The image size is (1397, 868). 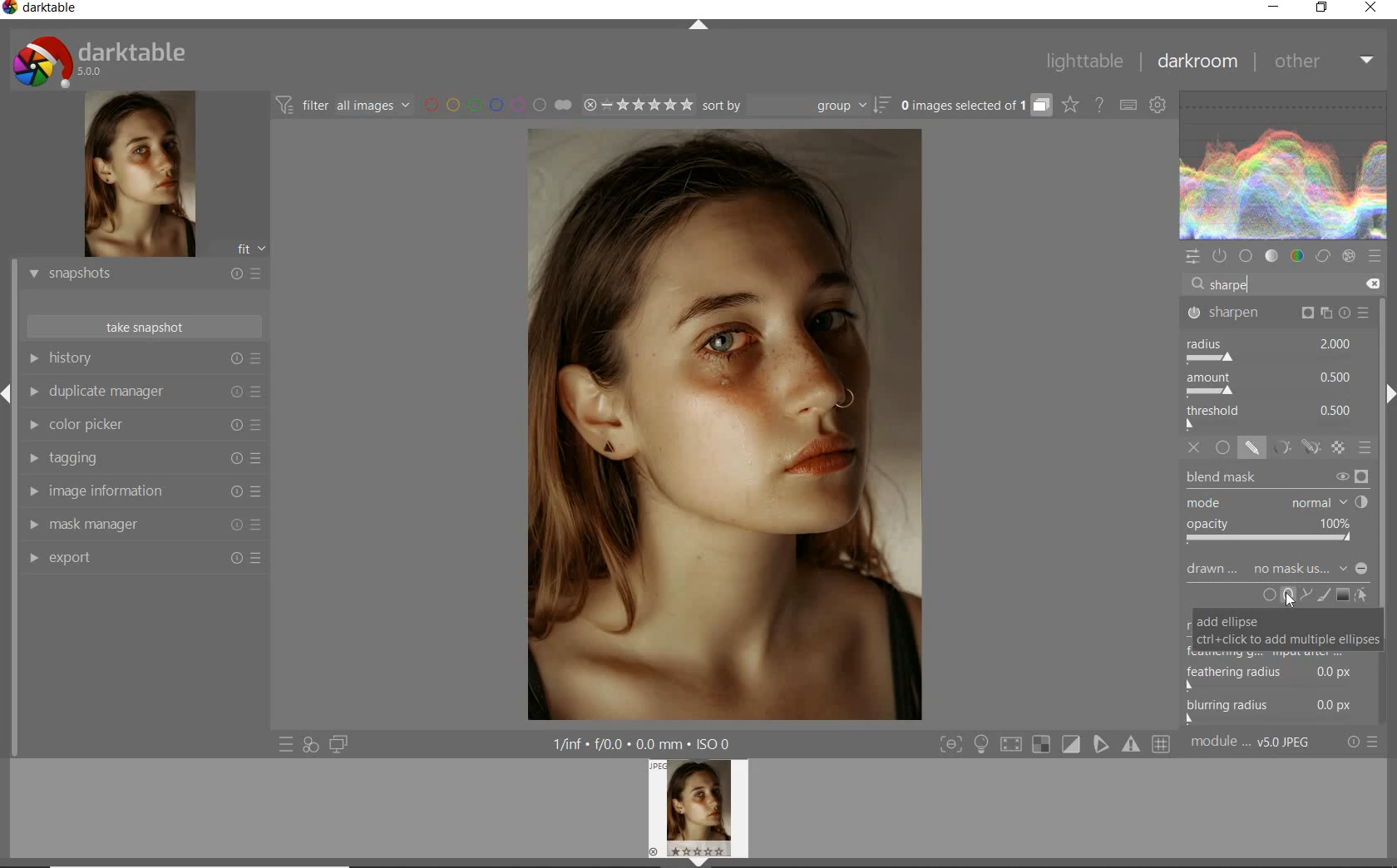 What do you see at coordinates (141, 491) in the screenshot?
I see `image formation` at bounding box center [141, 491].